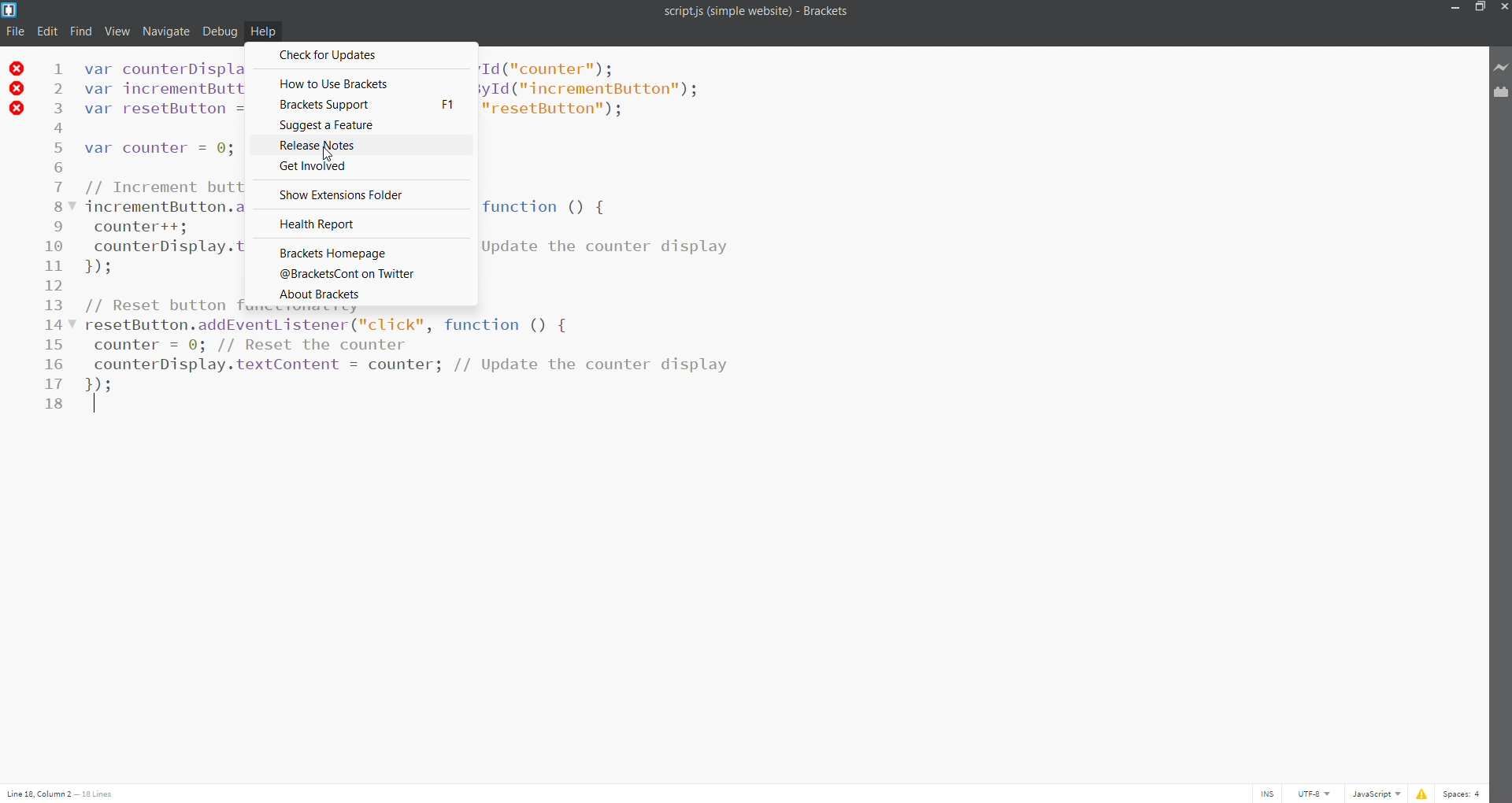 The image size is (1512, 803). What do you see at coordinates (362, 166) in the screenshot?
I see `get involved` at bounding box center [362, 166].